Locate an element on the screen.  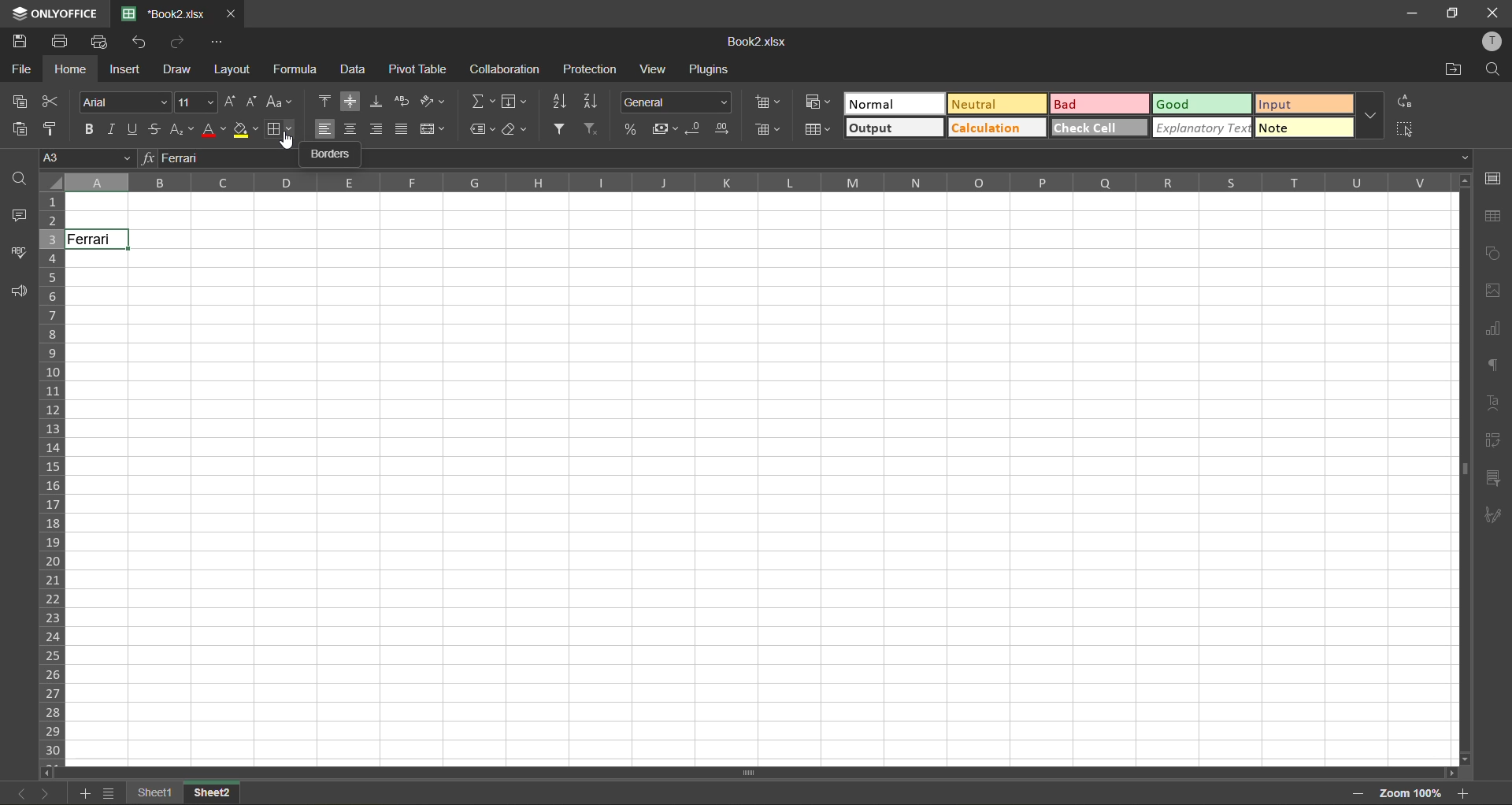
save is located at coordinates (20, 39).